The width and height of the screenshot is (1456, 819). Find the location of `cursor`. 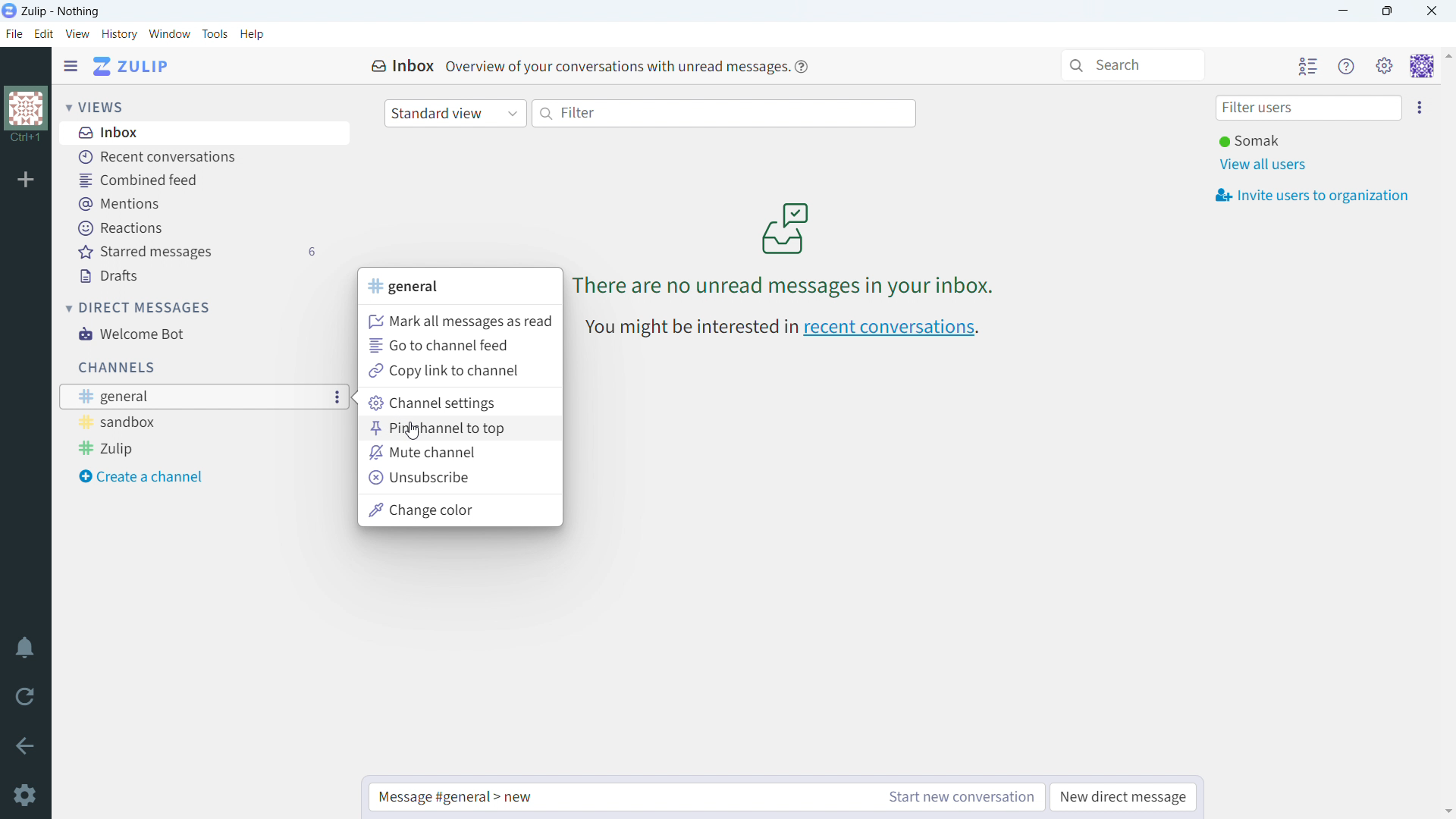

cursor is located at coordinates (412, 432).